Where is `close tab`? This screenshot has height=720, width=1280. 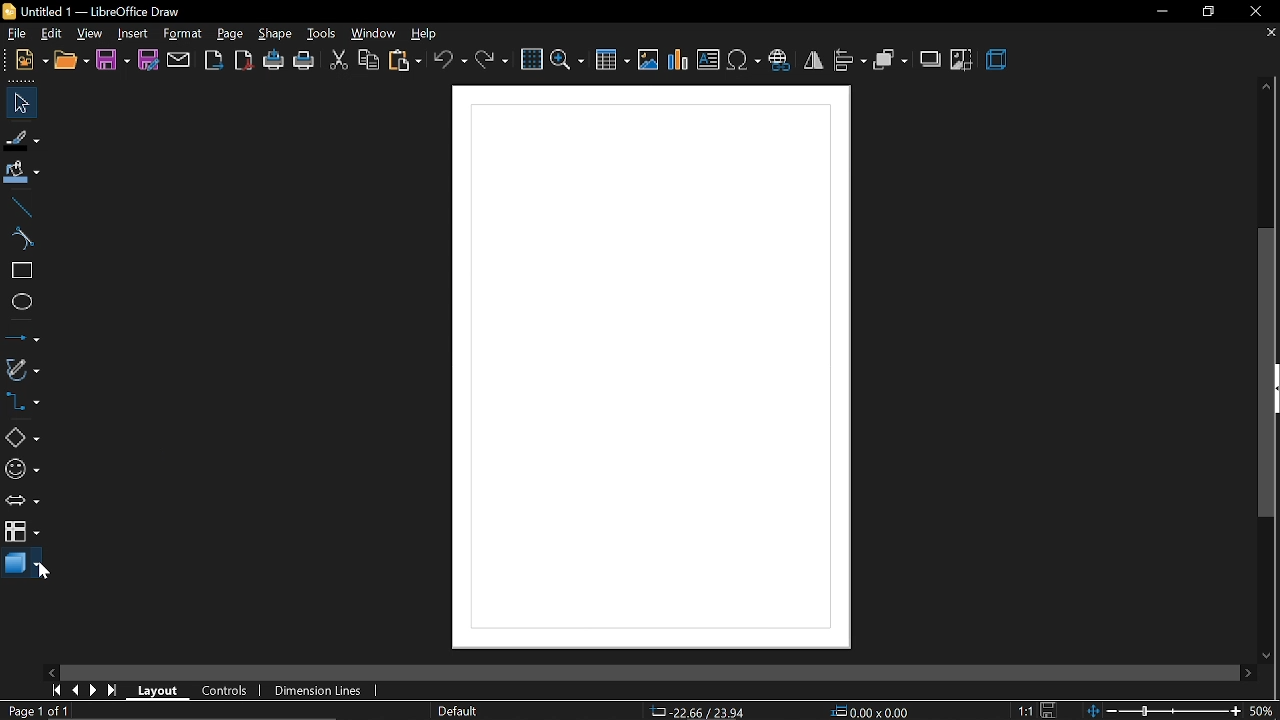
close tab is located at coordinates (1268, 33).